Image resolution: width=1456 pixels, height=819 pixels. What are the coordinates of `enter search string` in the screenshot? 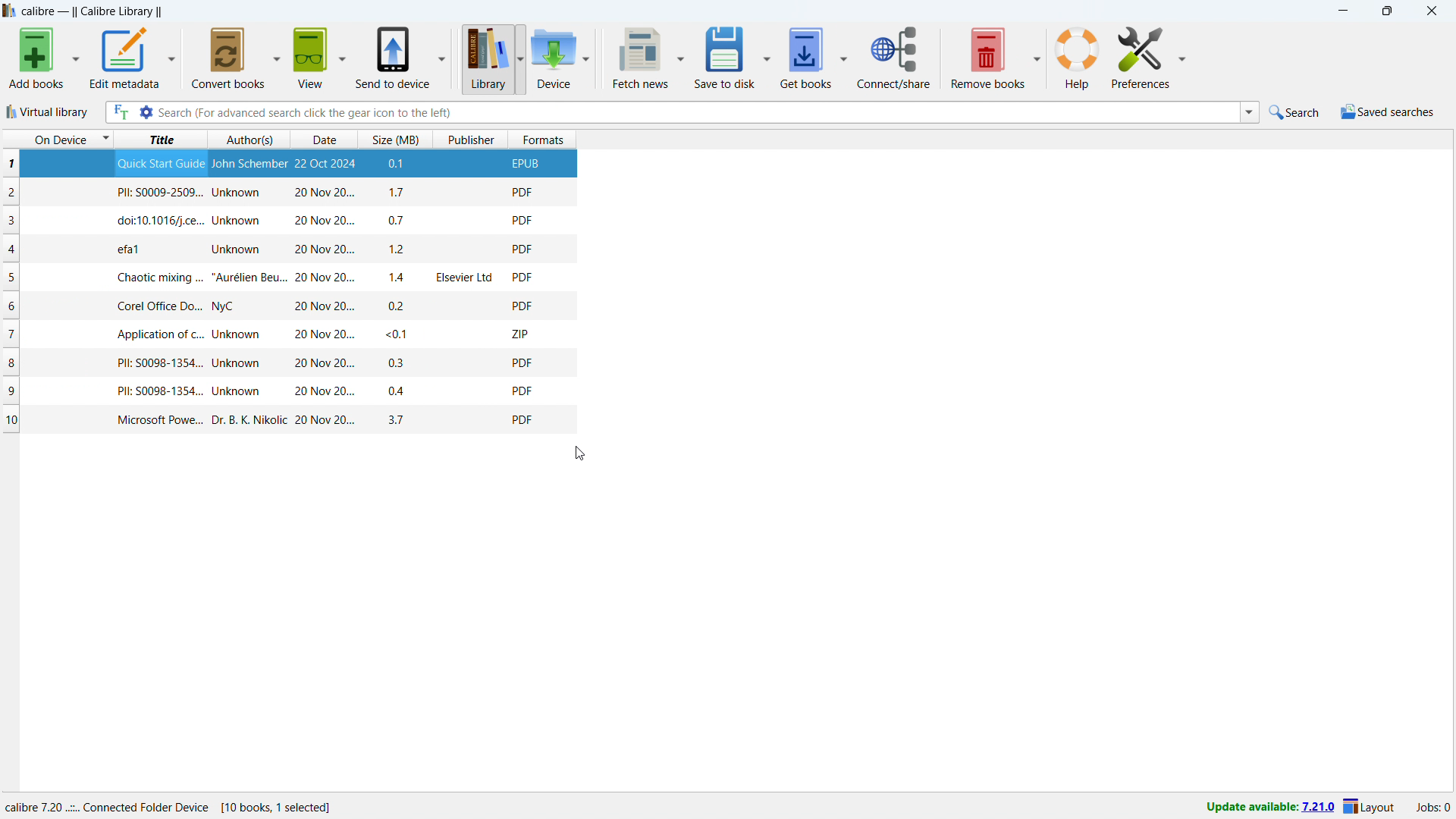 It's located at (696, 111).